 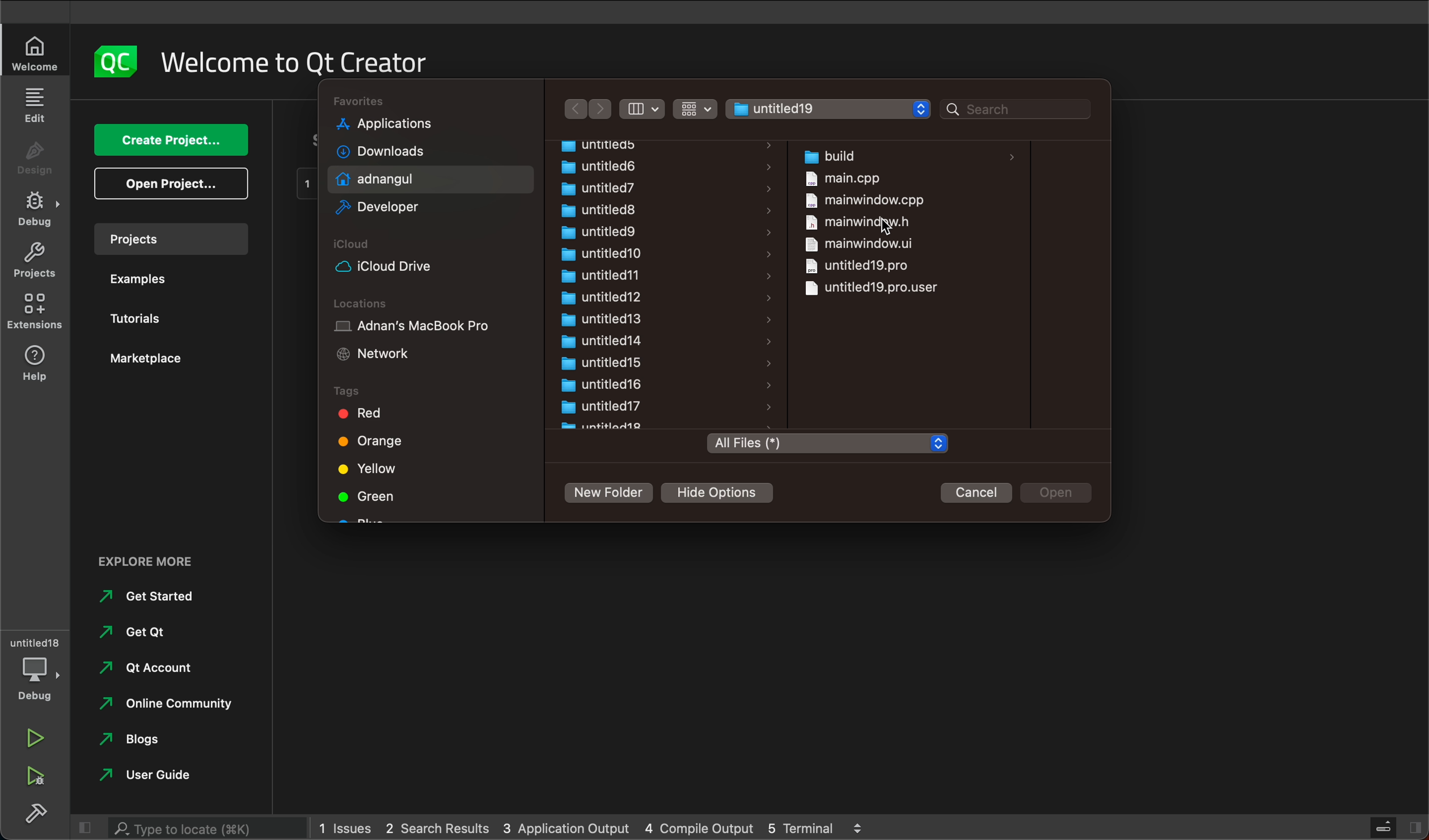 What do you see at coordinates (876, 288) in the screenshot?
I see `untitled19pro` at bounding box center [876, 288].